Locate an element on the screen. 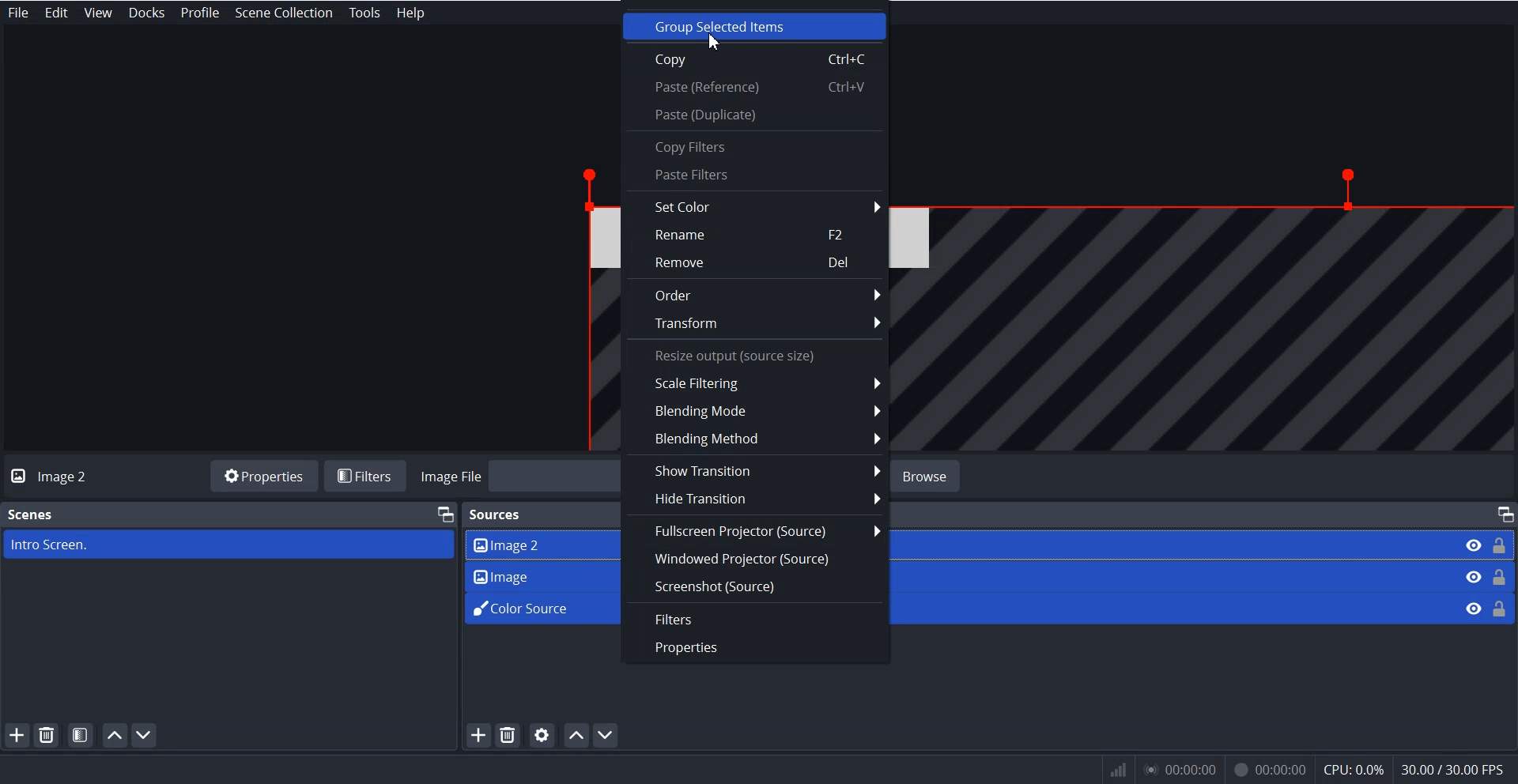 The height and width of the screenshot is (784, 1518). cpu is located at coordinates (1353, 767).